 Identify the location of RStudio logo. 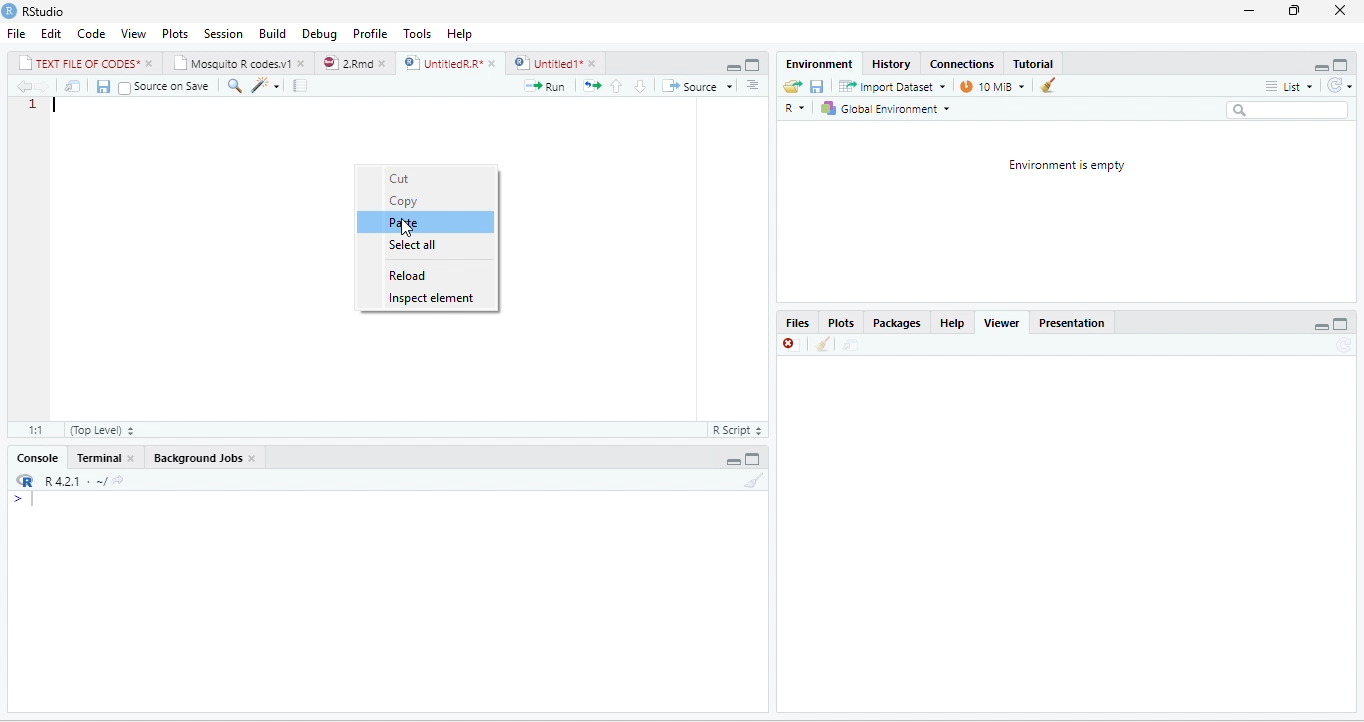
(9, 11).